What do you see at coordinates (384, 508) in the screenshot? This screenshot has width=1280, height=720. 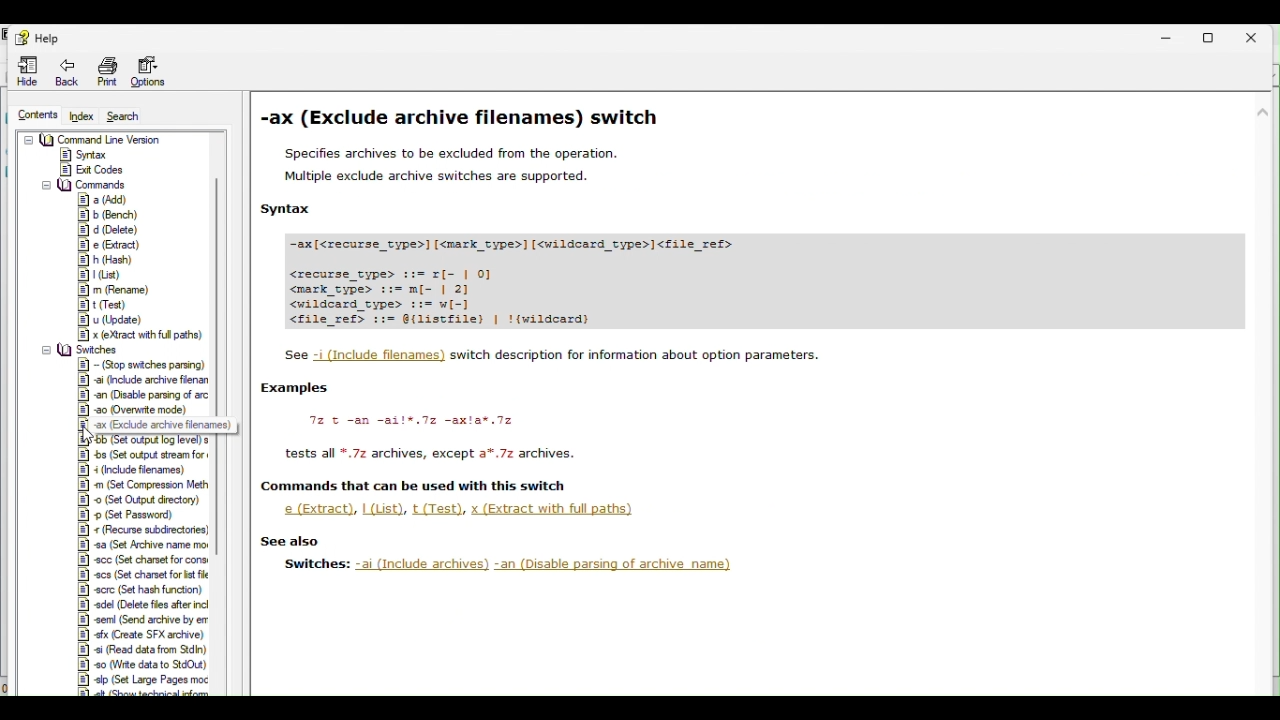 I see `| (List),` at bounding box center [384, 508].